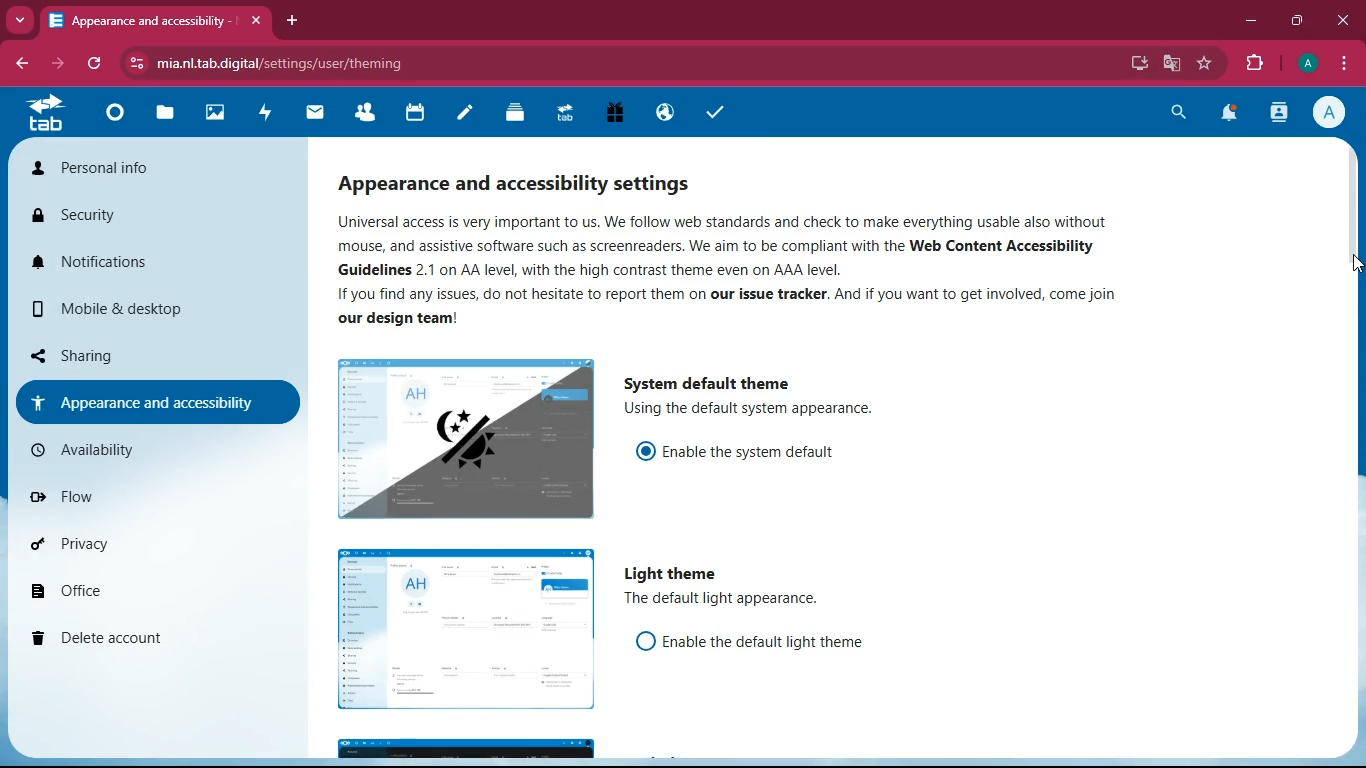  I want to click on availability, so click(106, 450).